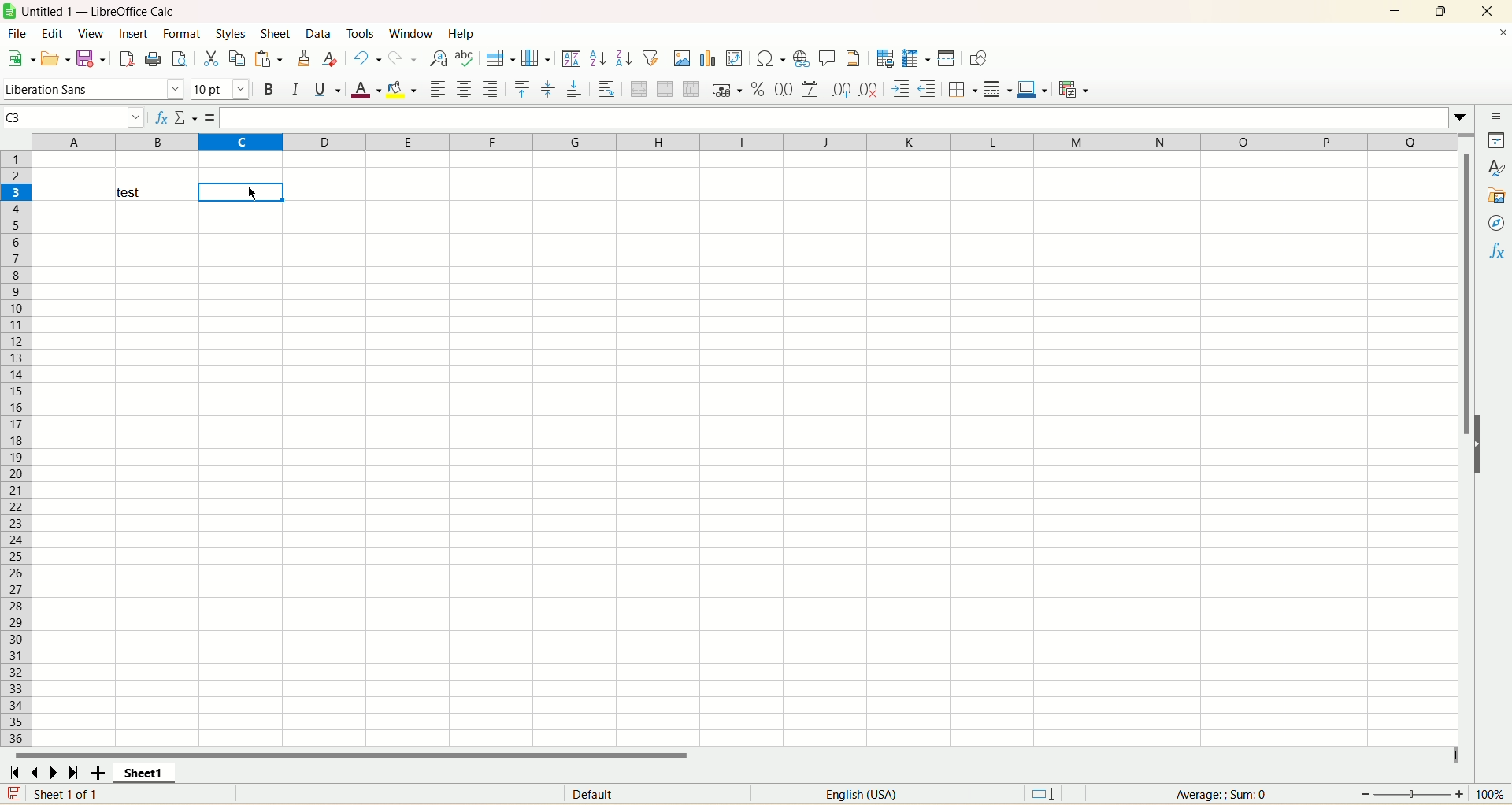  Describe the element at coordinates (1412, 794) in the screenshot. I see `zoom bar` at that location.